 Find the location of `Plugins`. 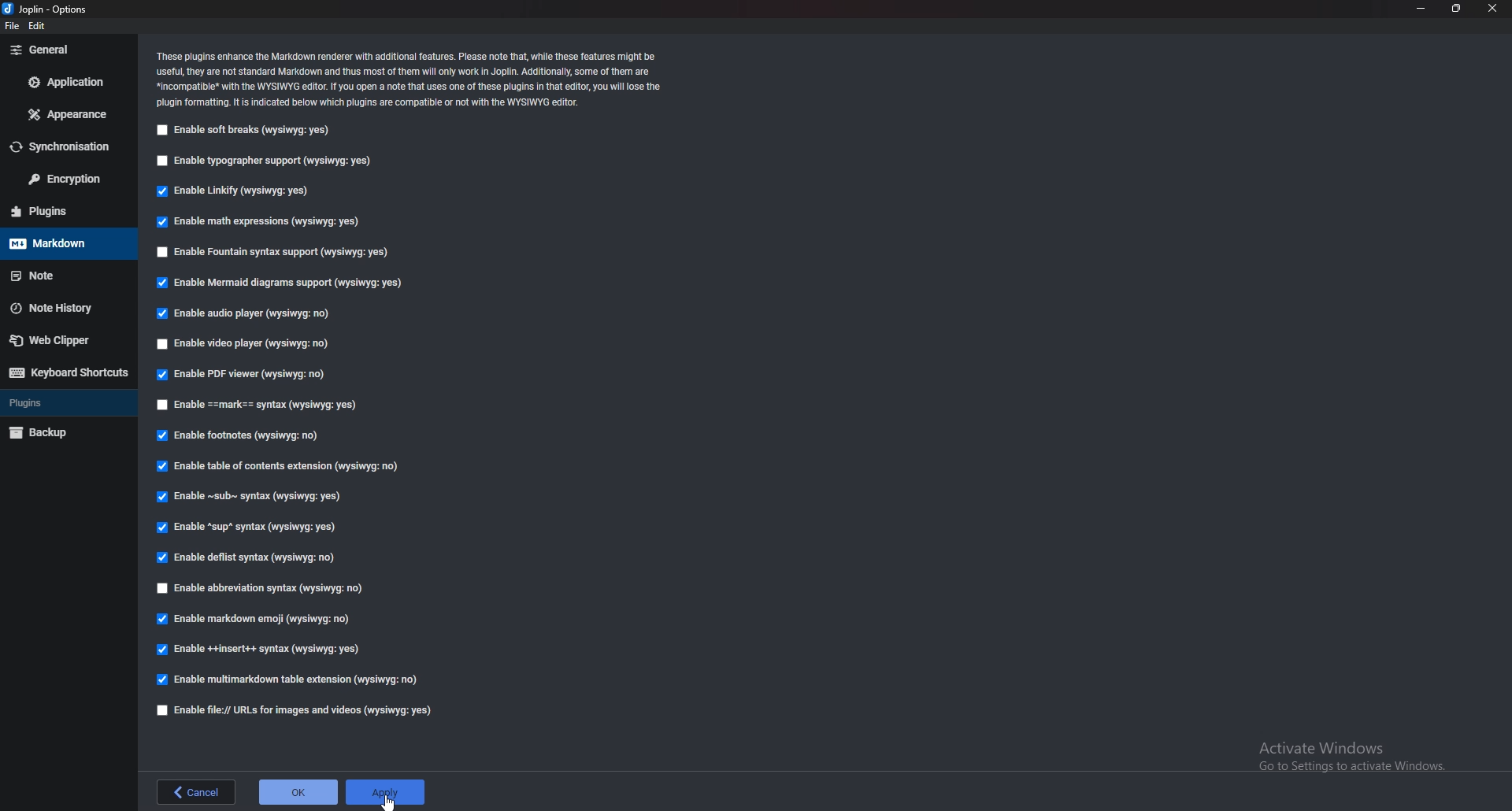

Plugins is located at coordinates (59, 403).